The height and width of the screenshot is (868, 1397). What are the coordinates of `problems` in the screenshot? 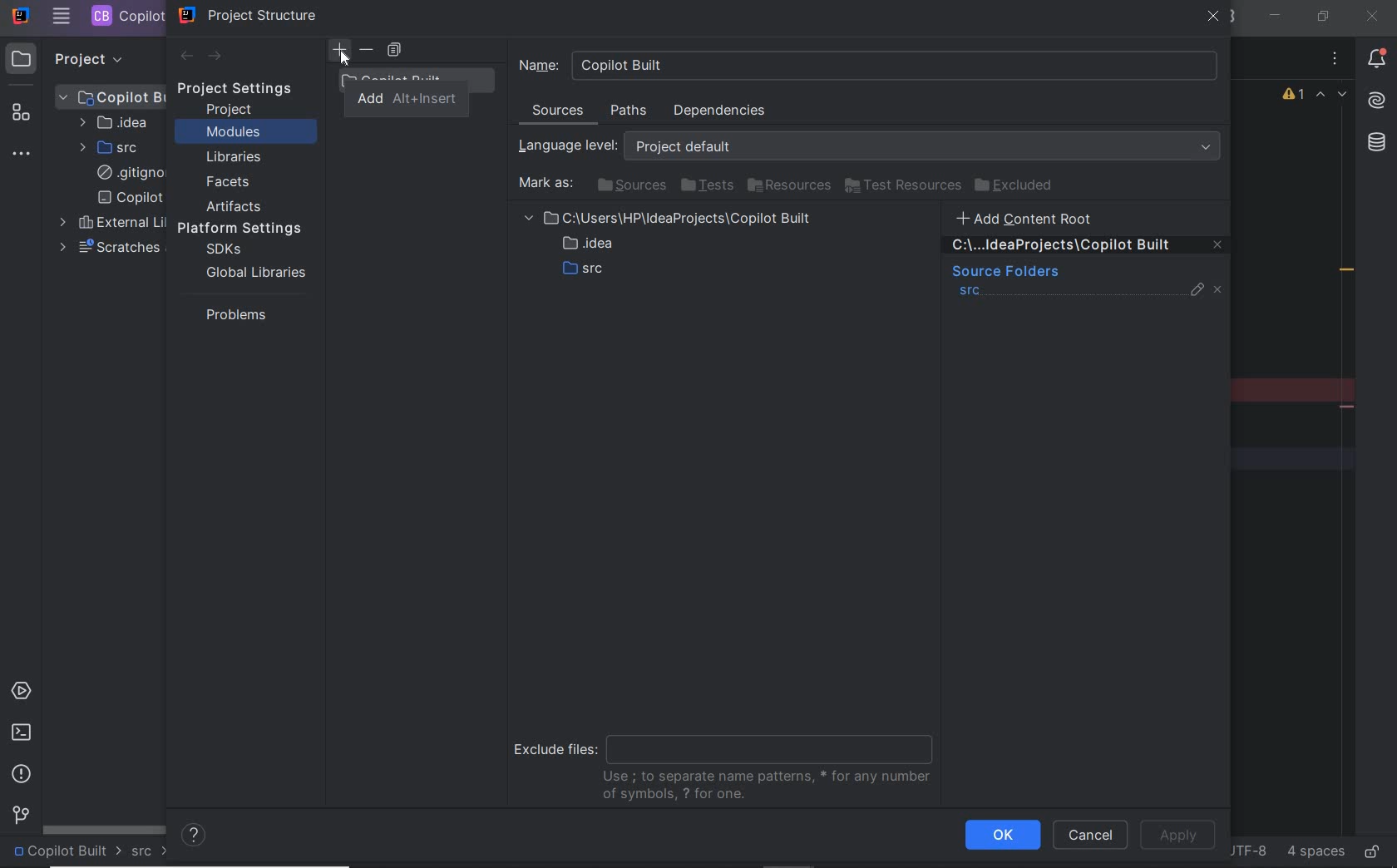 It's located at (22, 774).